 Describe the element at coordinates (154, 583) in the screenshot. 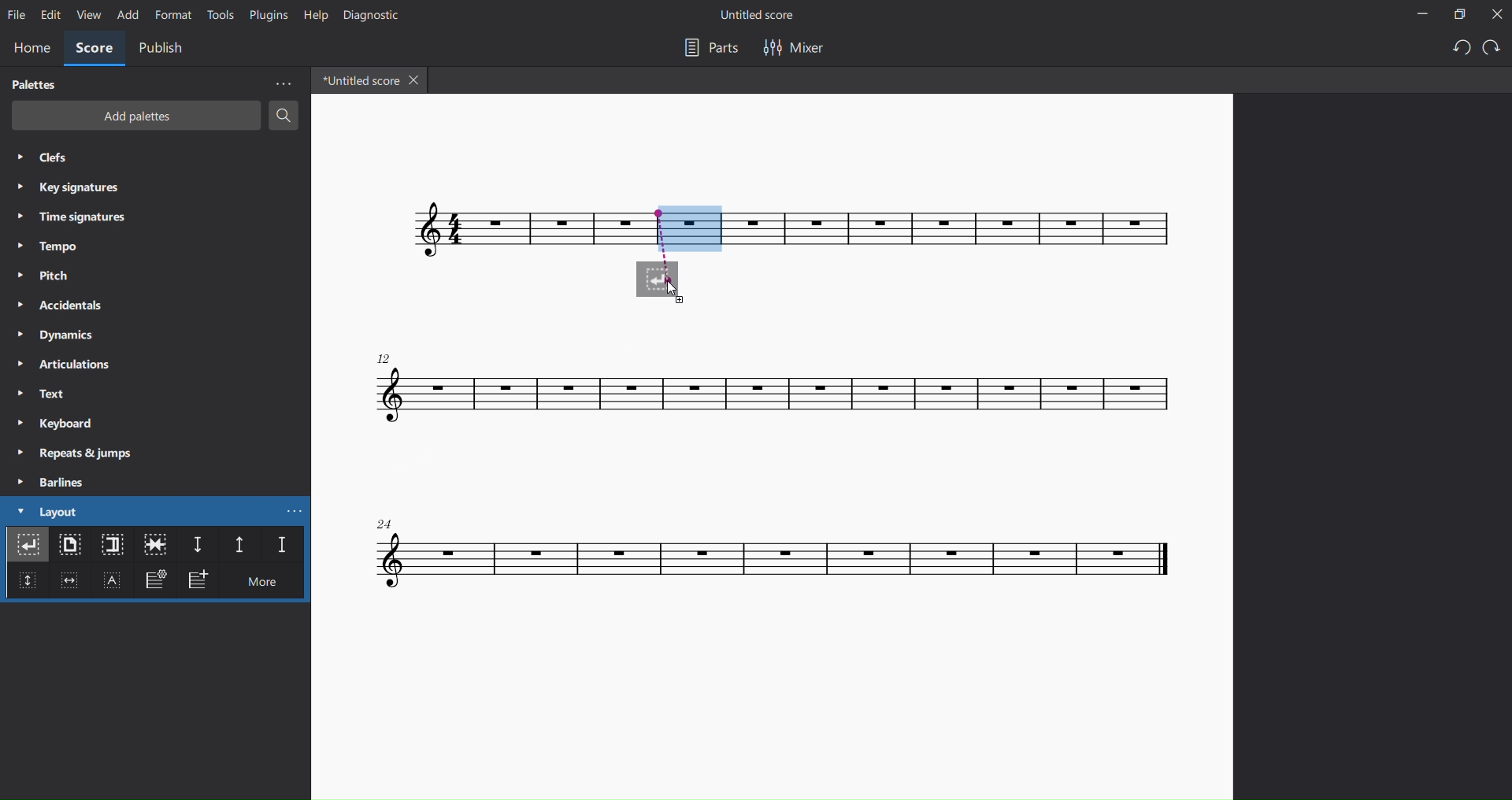

I see `frame settings` at that location.